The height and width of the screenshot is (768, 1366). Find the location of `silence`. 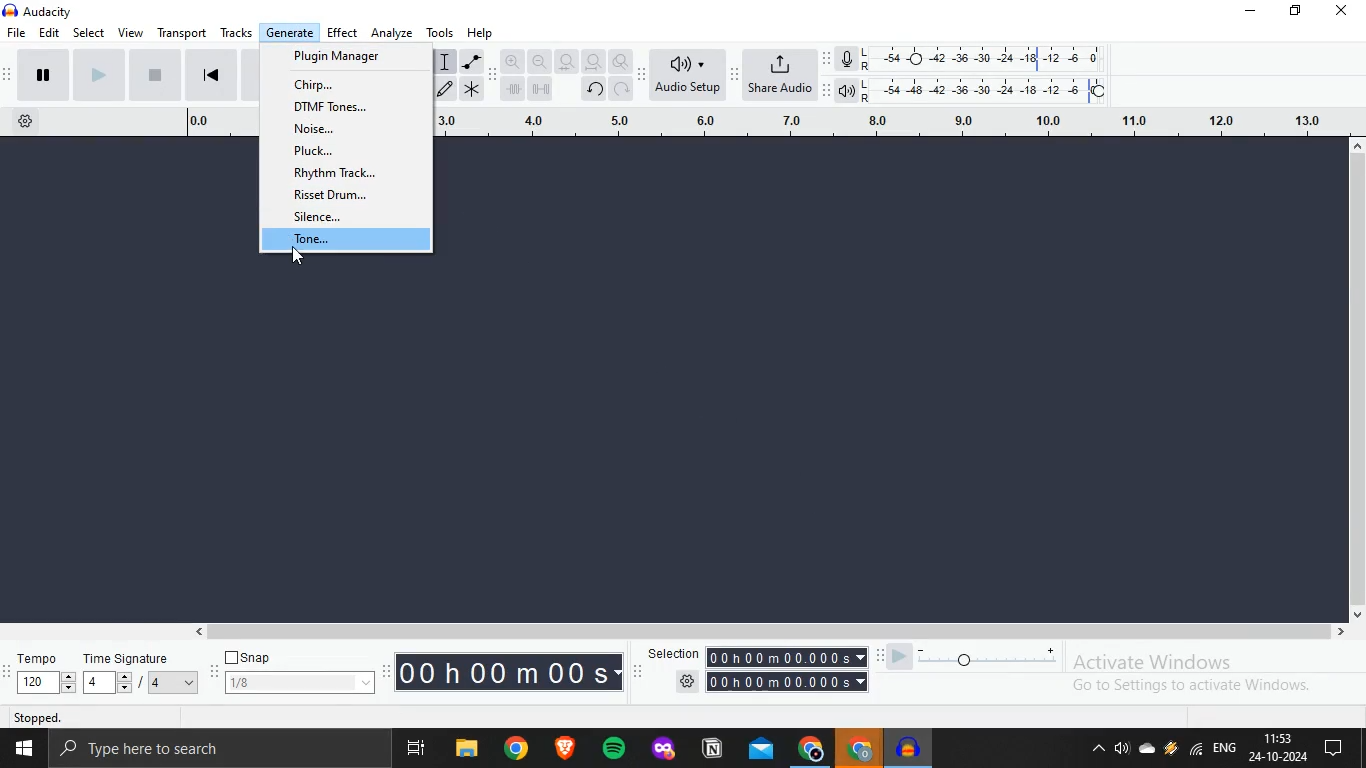

silence is located at coordinates (336, 221).